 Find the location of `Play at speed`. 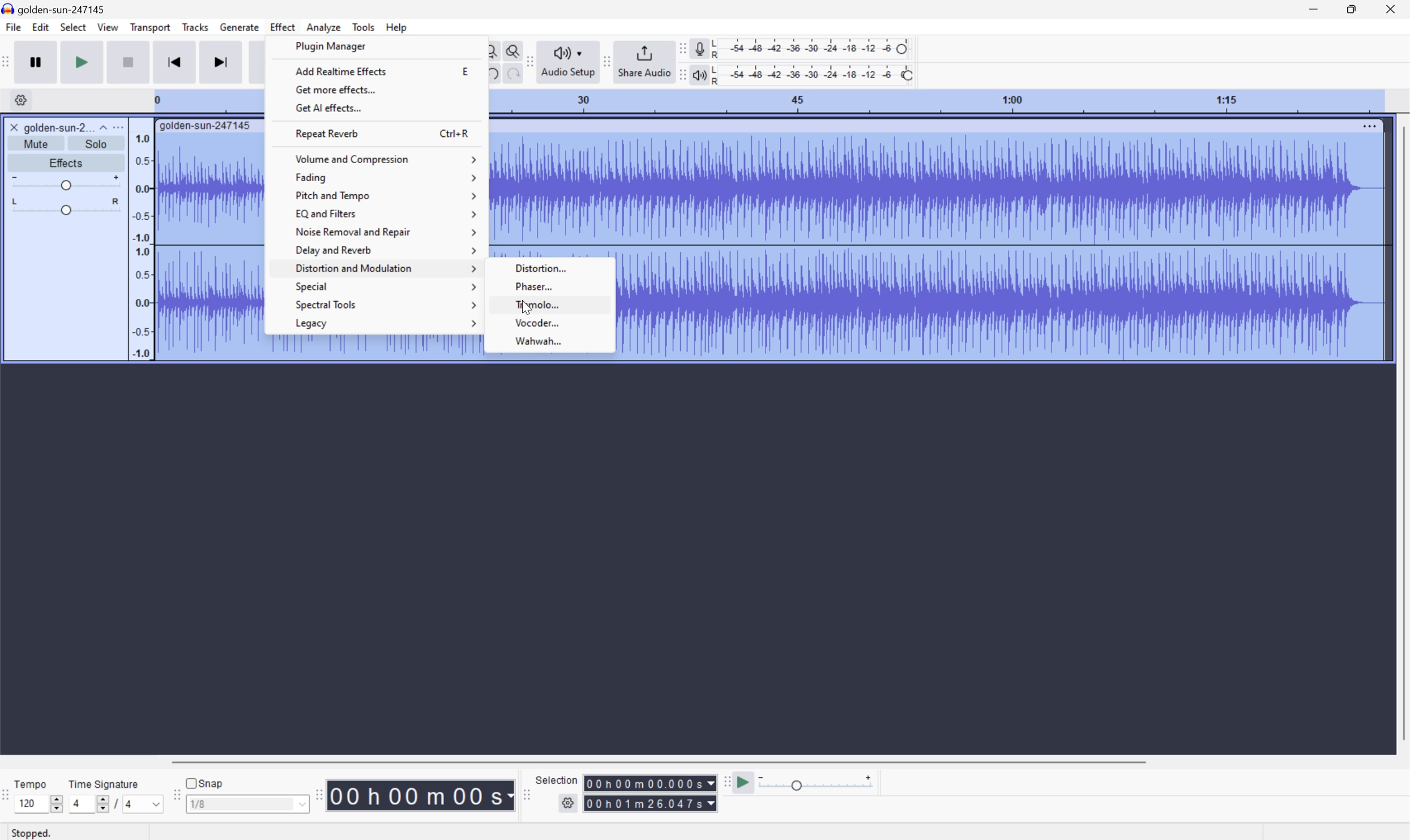

Play at speed is located at coordinates (746, 781).